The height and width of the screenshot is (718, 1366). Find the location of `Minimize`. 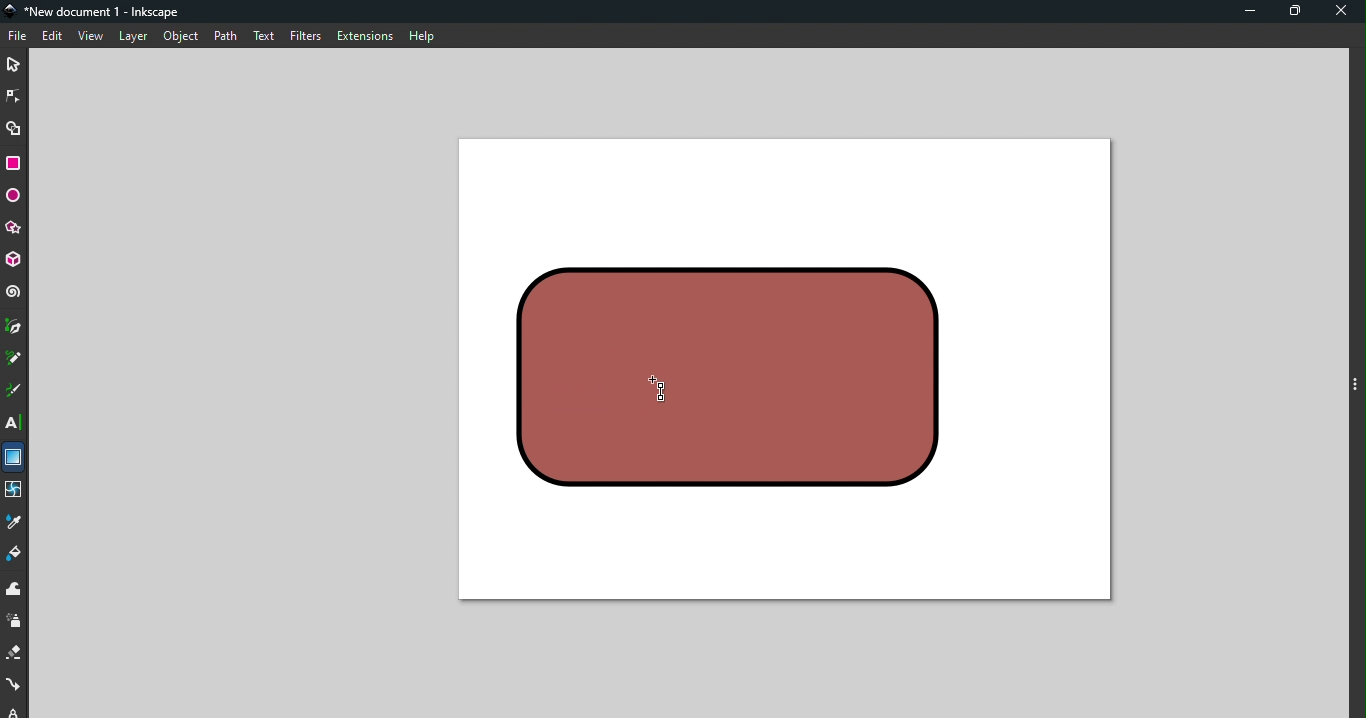

Minimize is located at coordinates (1245, 13).